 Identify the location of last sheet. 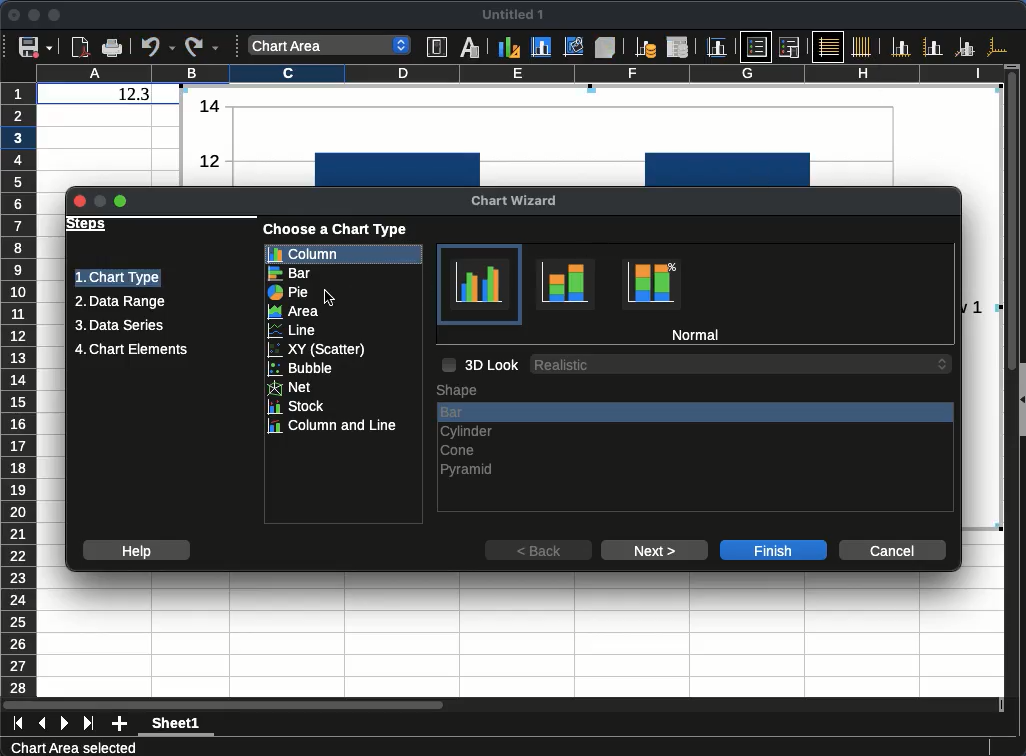
(88, 724).